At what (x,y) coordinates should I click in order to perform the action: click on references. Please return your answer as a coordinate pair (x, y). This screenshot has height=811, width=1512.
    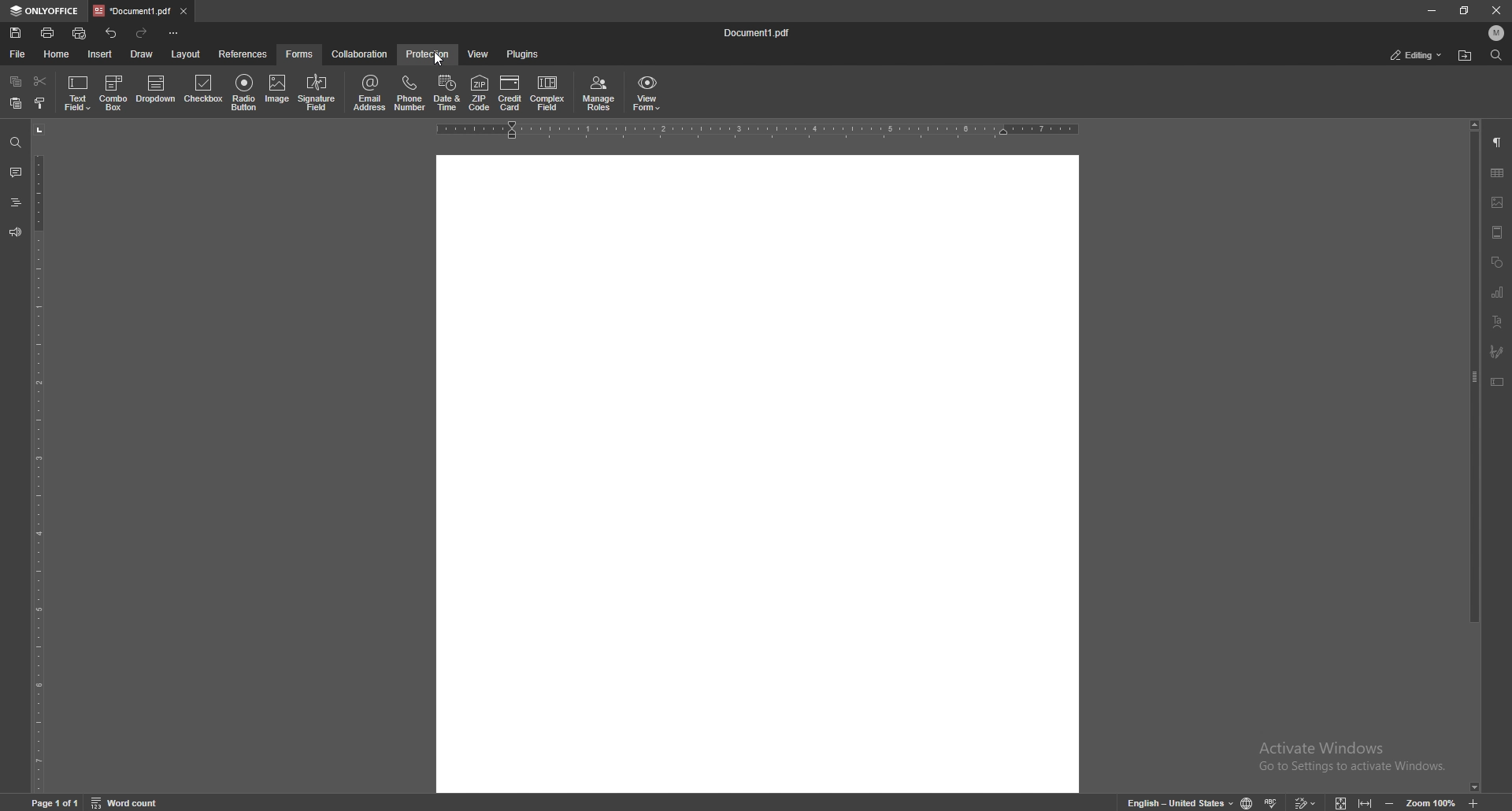
    Looking at the image, I should click on (245, 54).